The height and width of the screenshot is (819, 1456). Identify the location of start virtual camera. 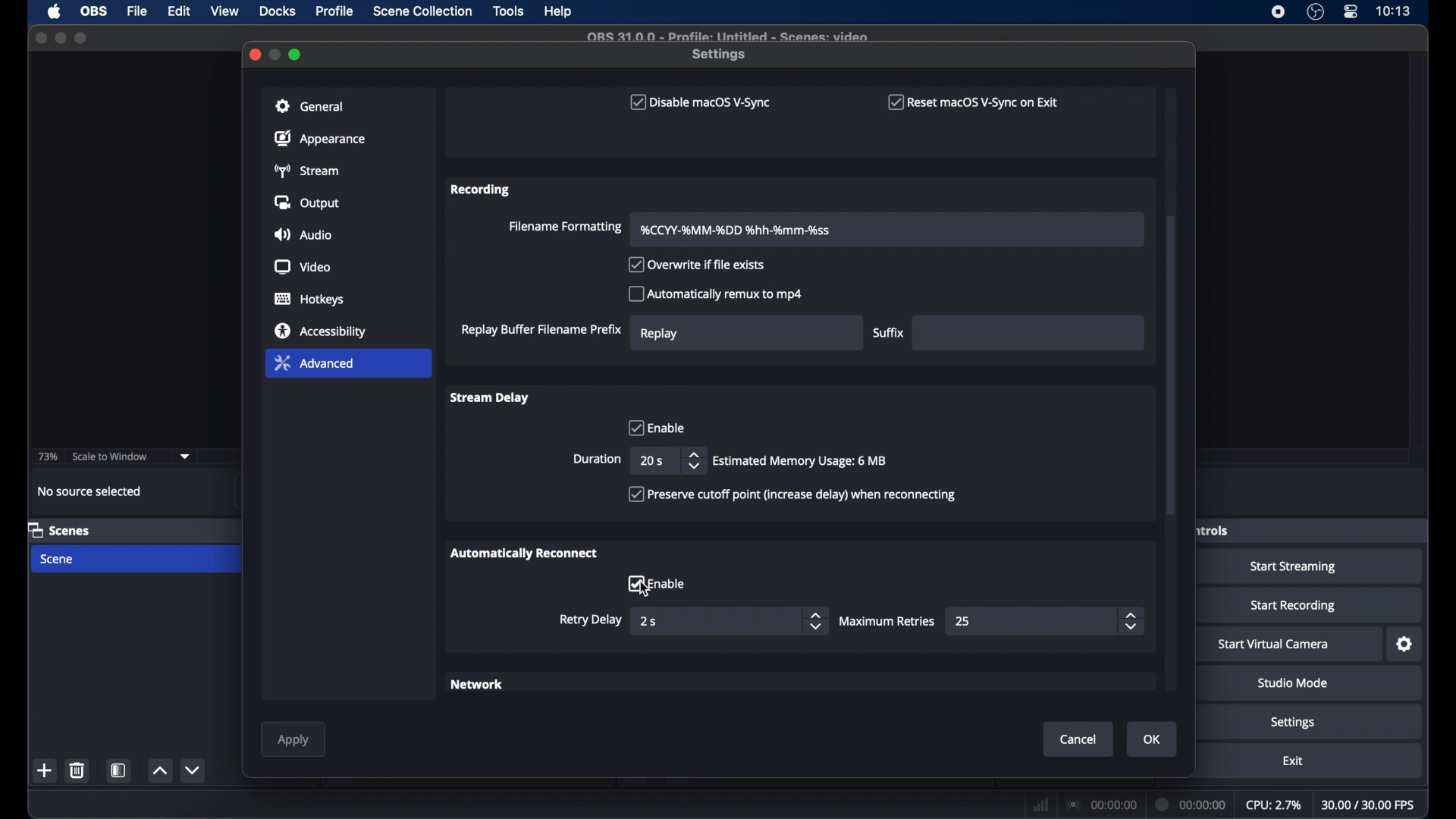
(1274, 645).